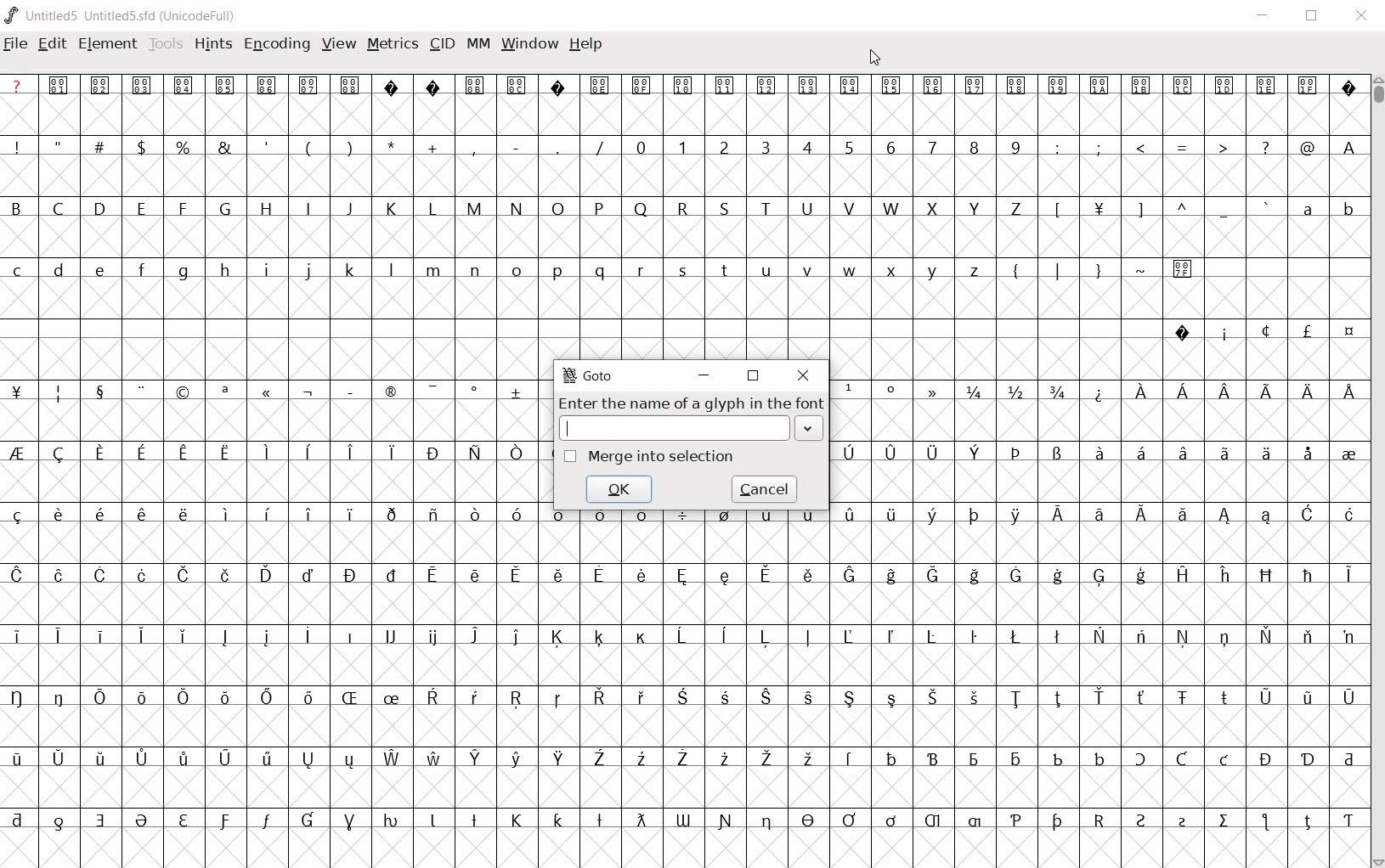 The width and height of the screenshot is (1385, 868). I want to click on close, so click(804, 375).